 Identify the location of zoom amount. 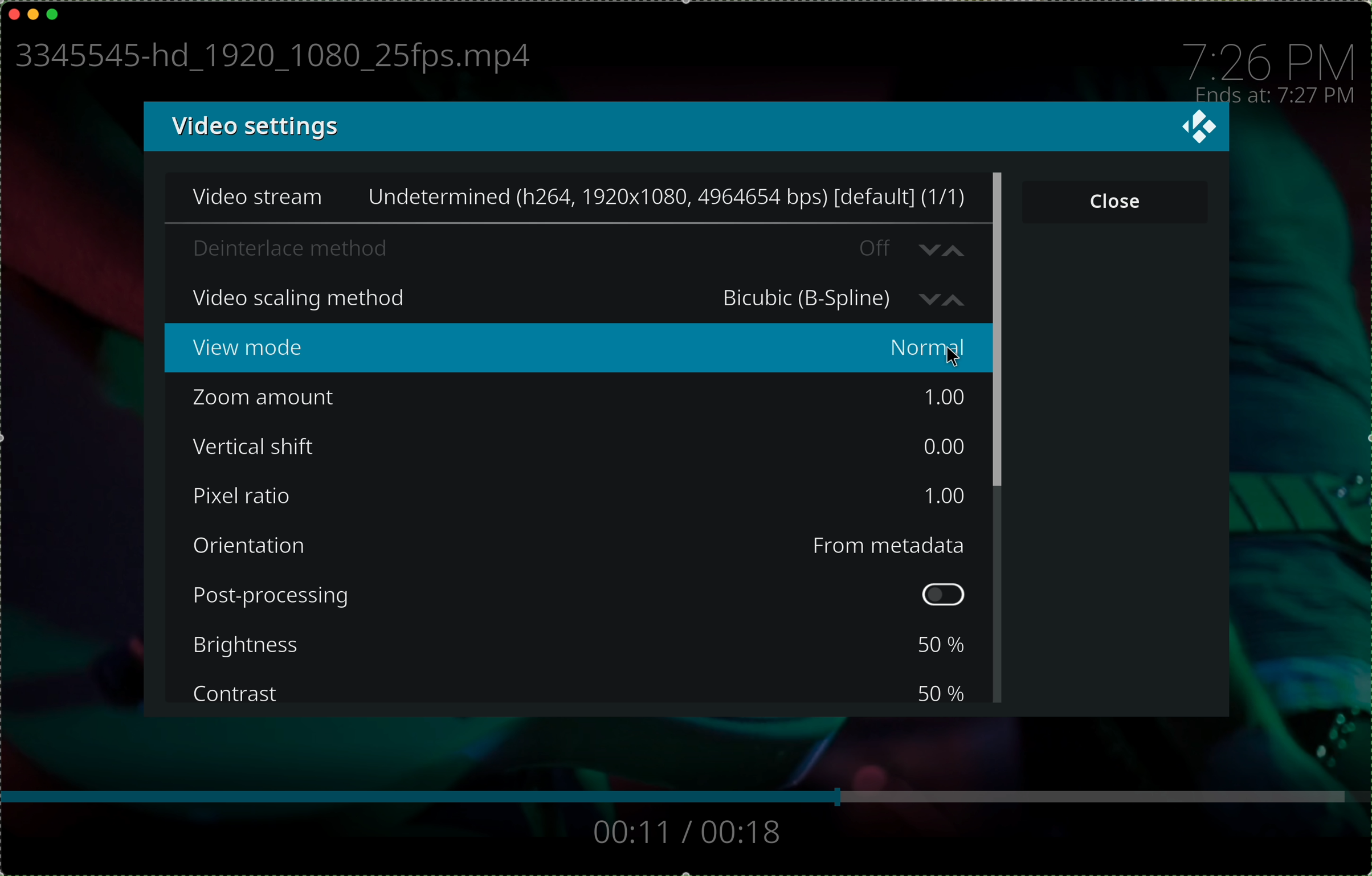
(264, 398).